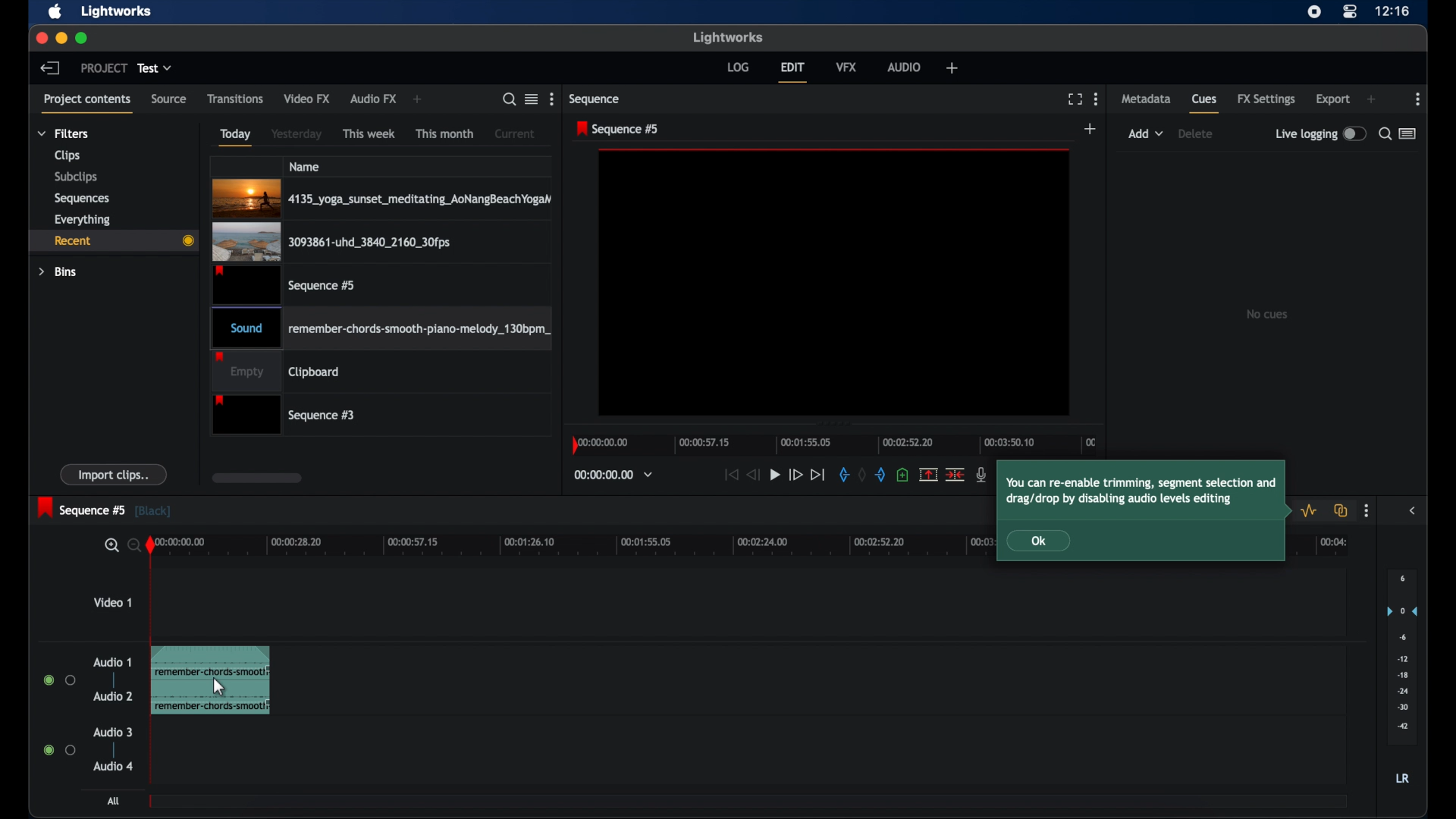 The width and height of the screenshot is (1456, 819). What do you see at coordinates (1328, 546) in the screenshot?
I see `00:04` at bounding box center [1328, 546].